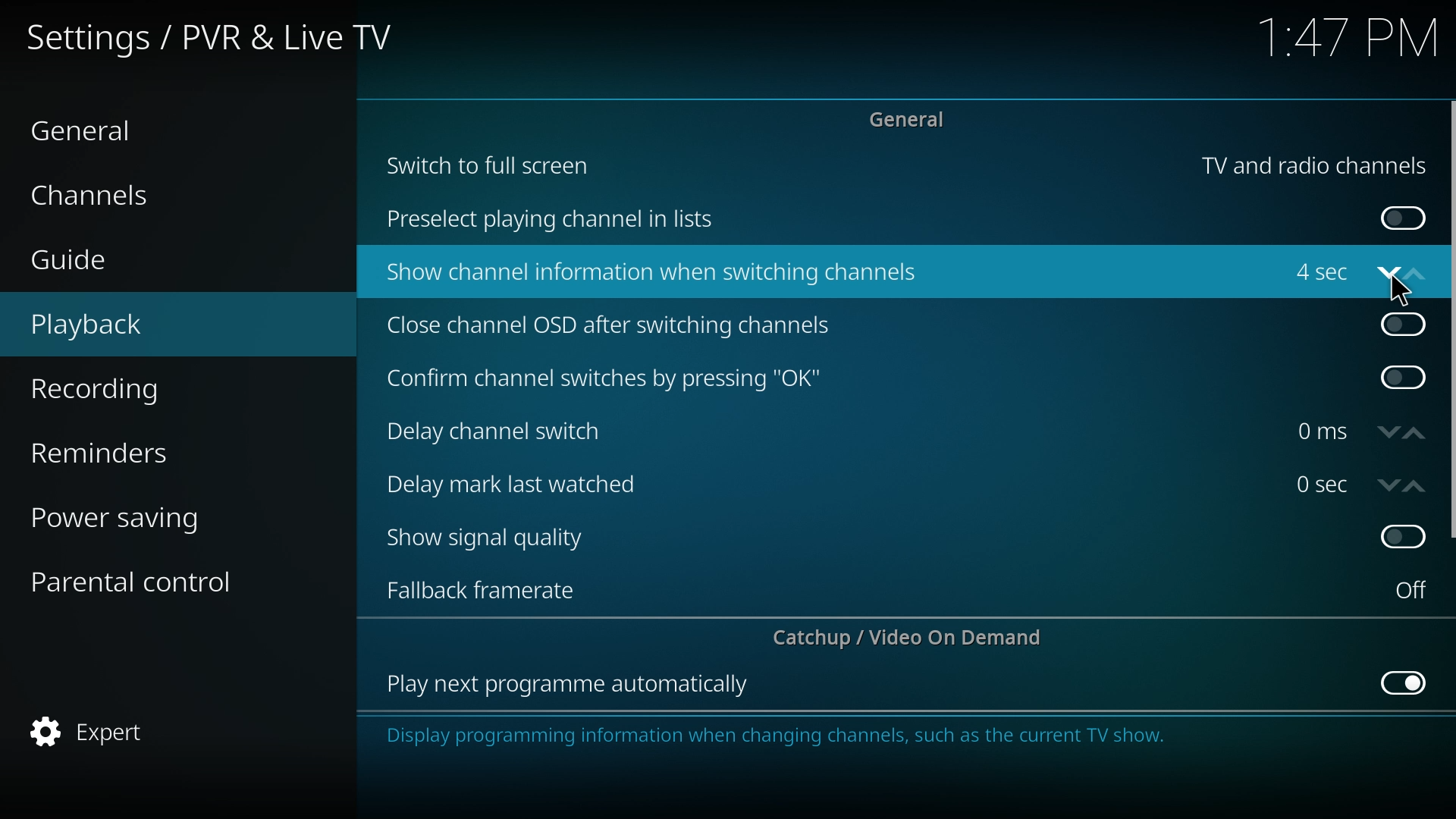 The height and width of the screenshot is (819, 1456). What do you see at coordinates (871, 736) in the screenshot?
I see `info` at bounding box center [871, 736].